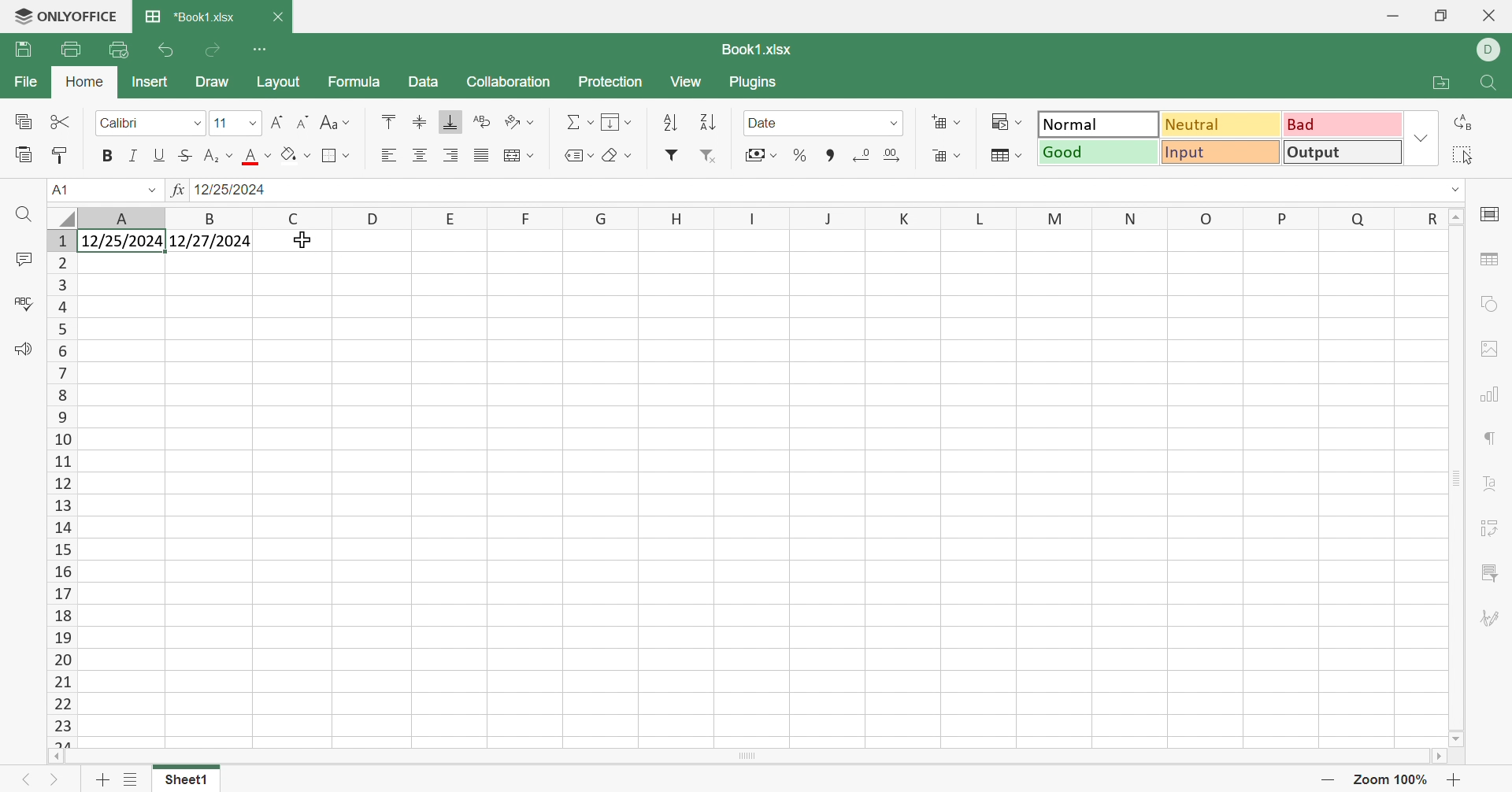  Describe the element at coordinates (1435, 757) in the screenshot. I see `Scroll Right` at that location.